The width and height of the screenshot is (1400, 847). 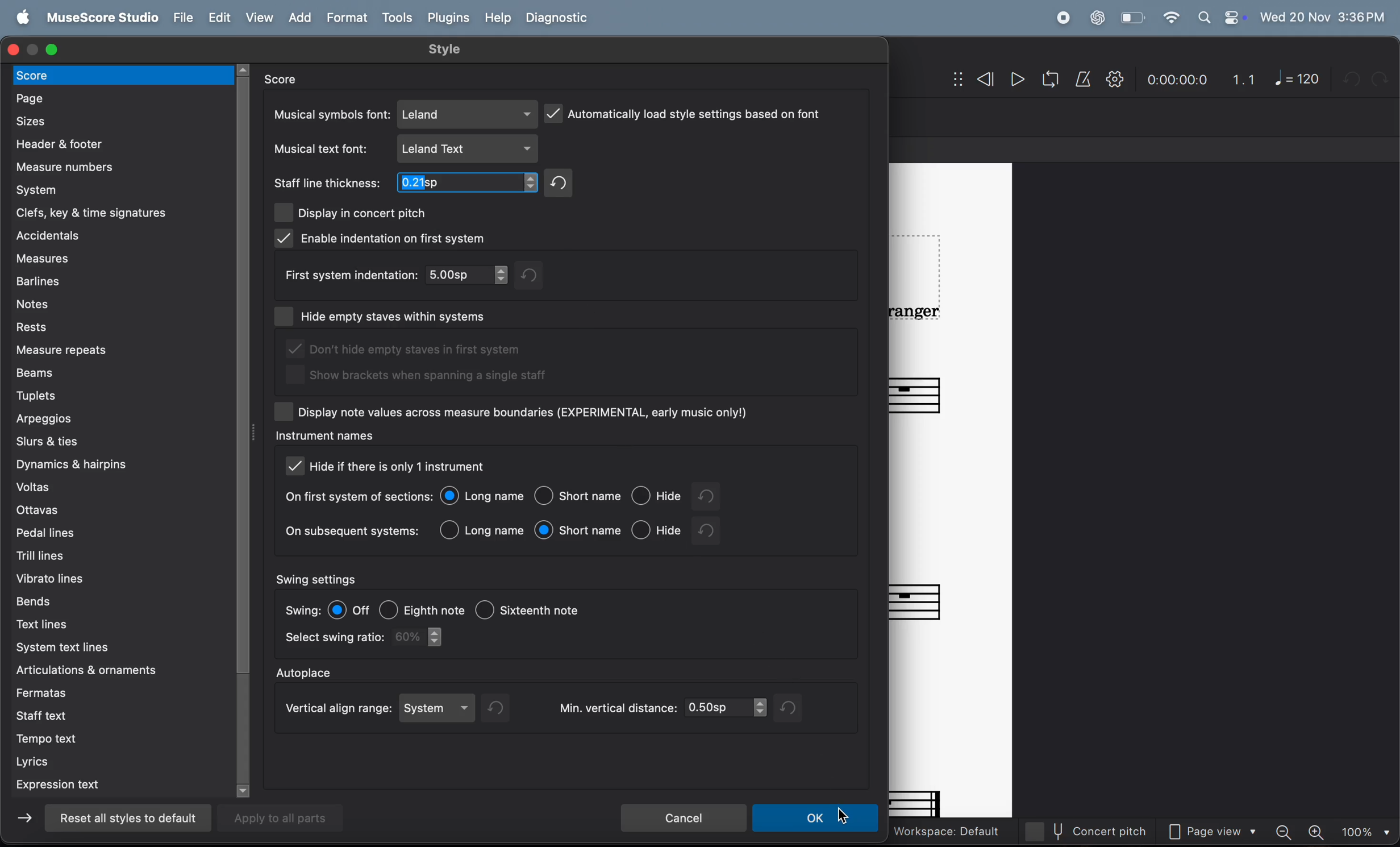 I want to click on zoom out, so click(x=1287, y=831).